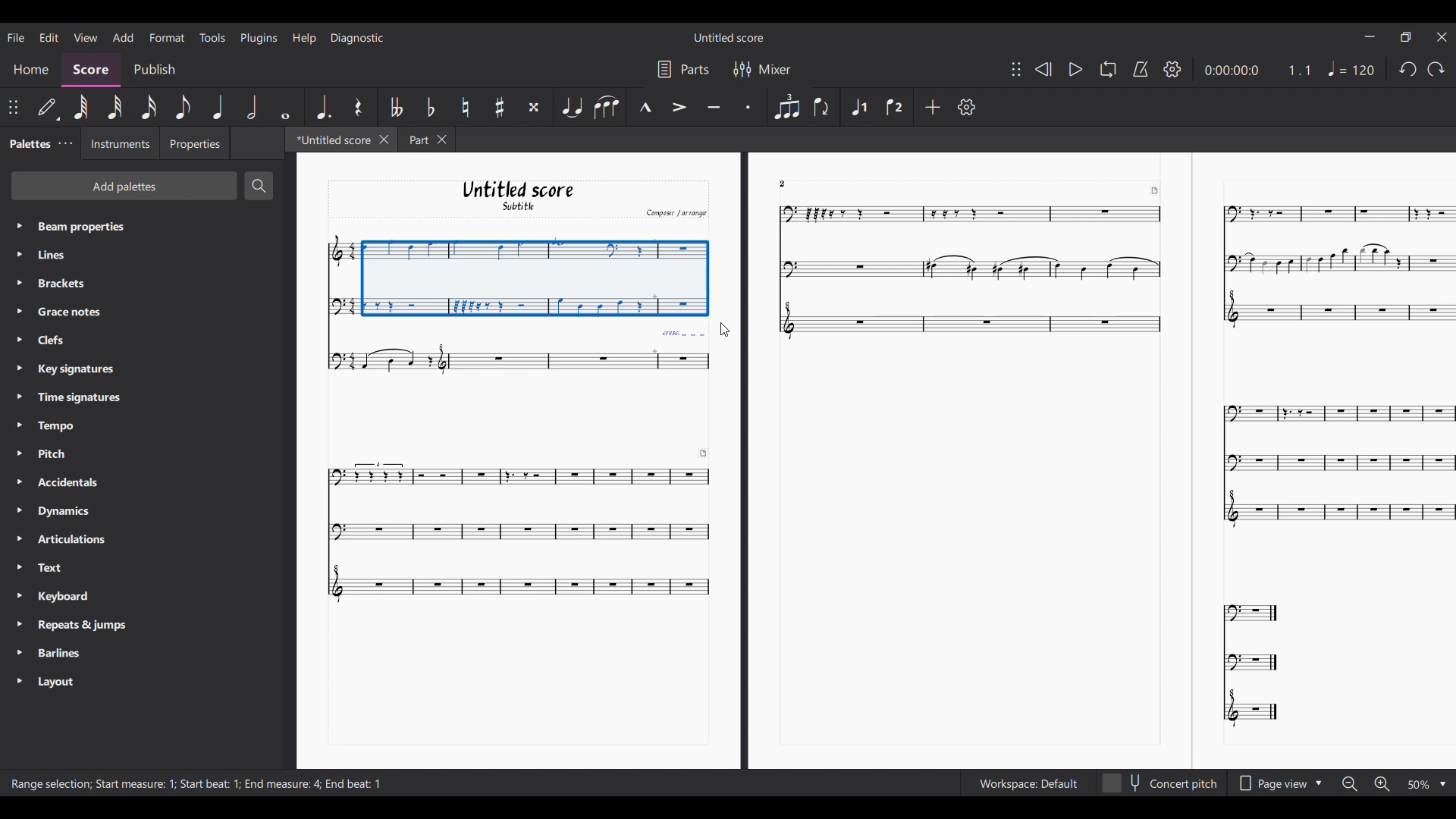 The image size is (1456, 819). Describe the element at coordinates (1028, 783) in the screenshot. I see `Workspace setting` at that location.